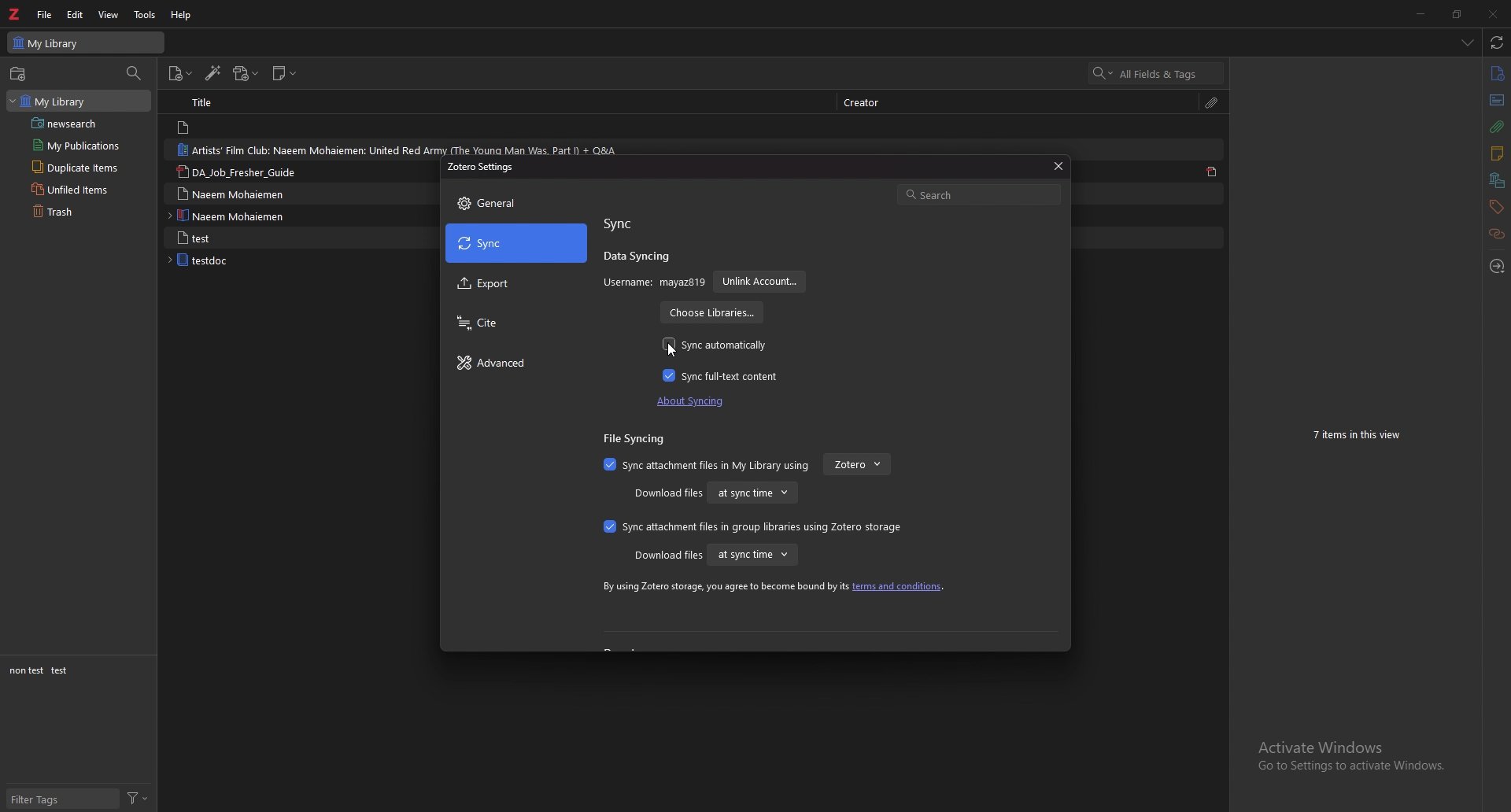 This screenshot has width=1511, height=812. Describe the element at coordinates (1497, 181) in the screenshot. I see `libraries and collections` at that location.